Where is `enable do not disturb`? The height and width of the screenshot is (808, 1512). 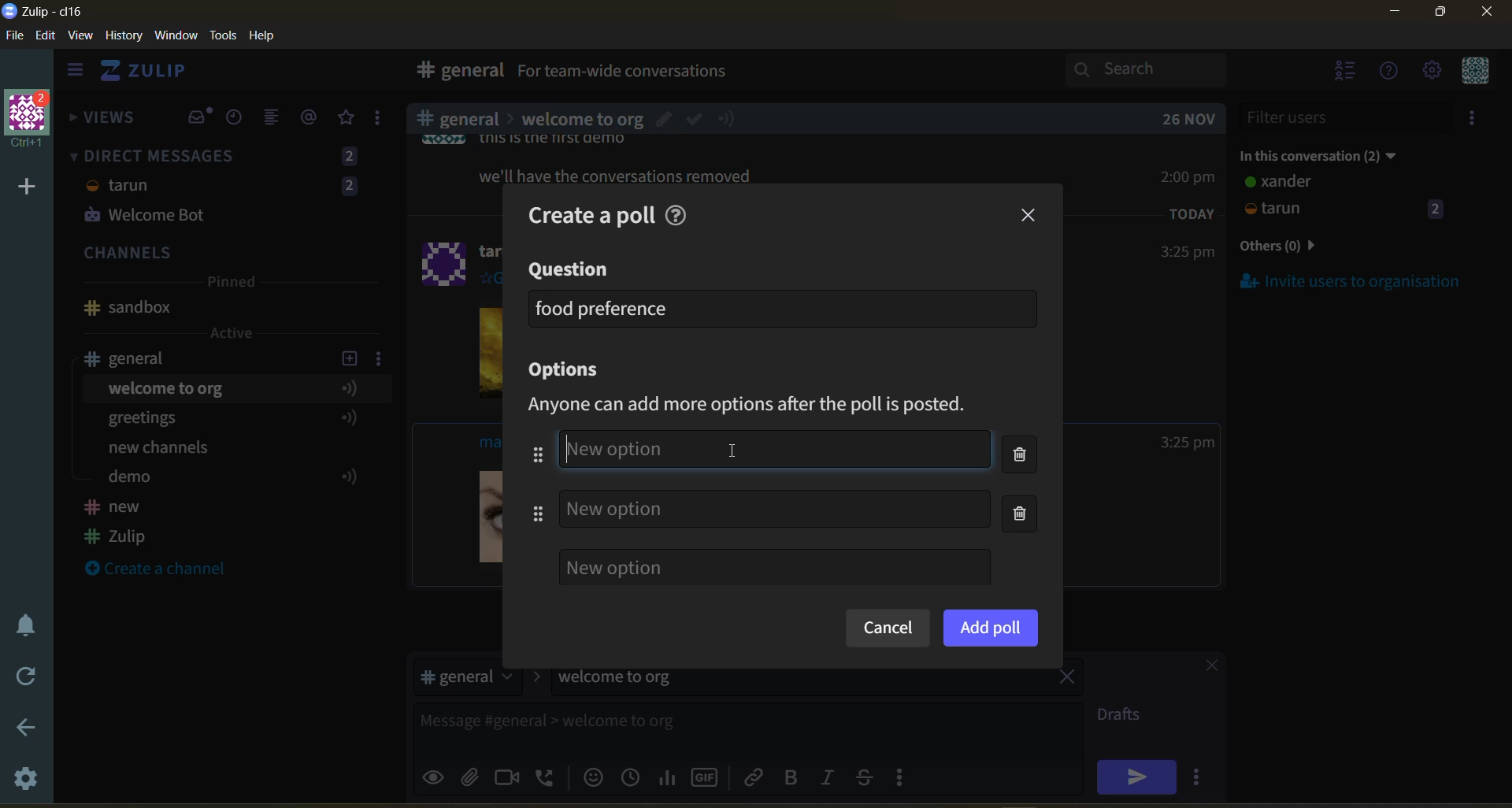 enable do not disturb is located at coordinates (22, 623).